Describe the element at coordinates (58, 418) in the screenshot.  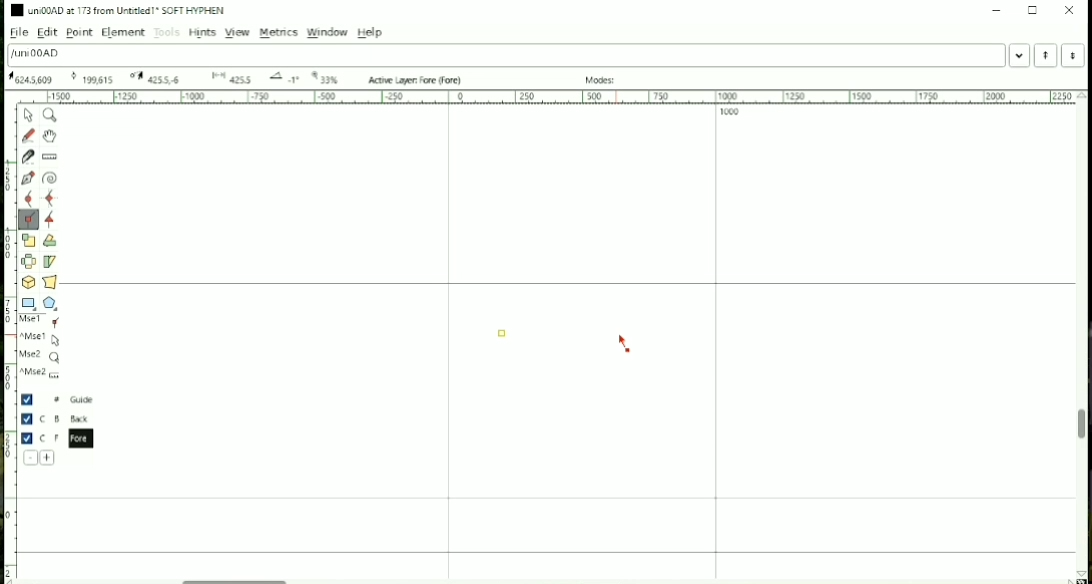
I see `Back` at that location.